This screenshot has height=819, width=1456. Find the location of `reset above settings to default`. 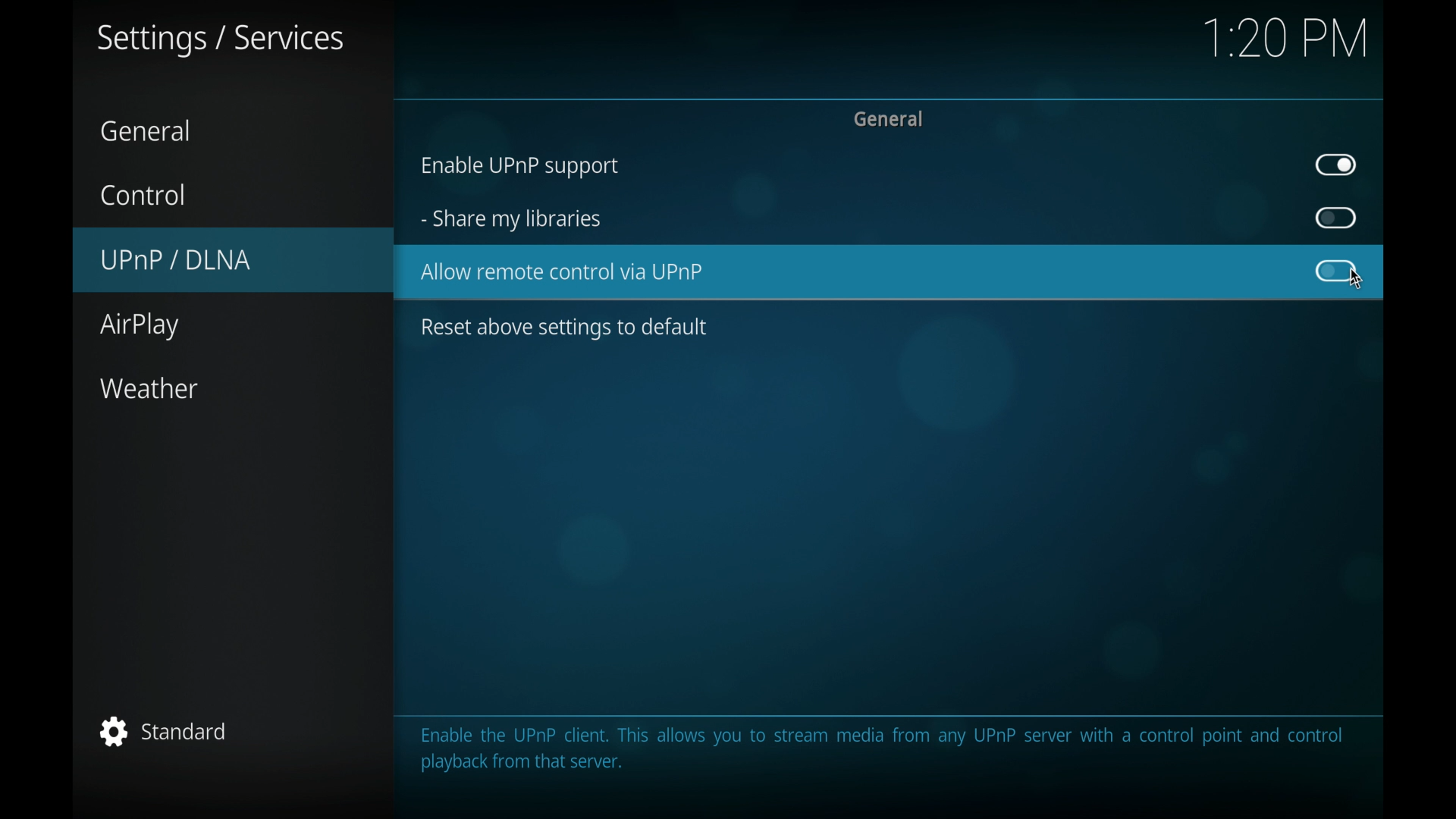

reset above settings to default is located at coordinates (563, 328).